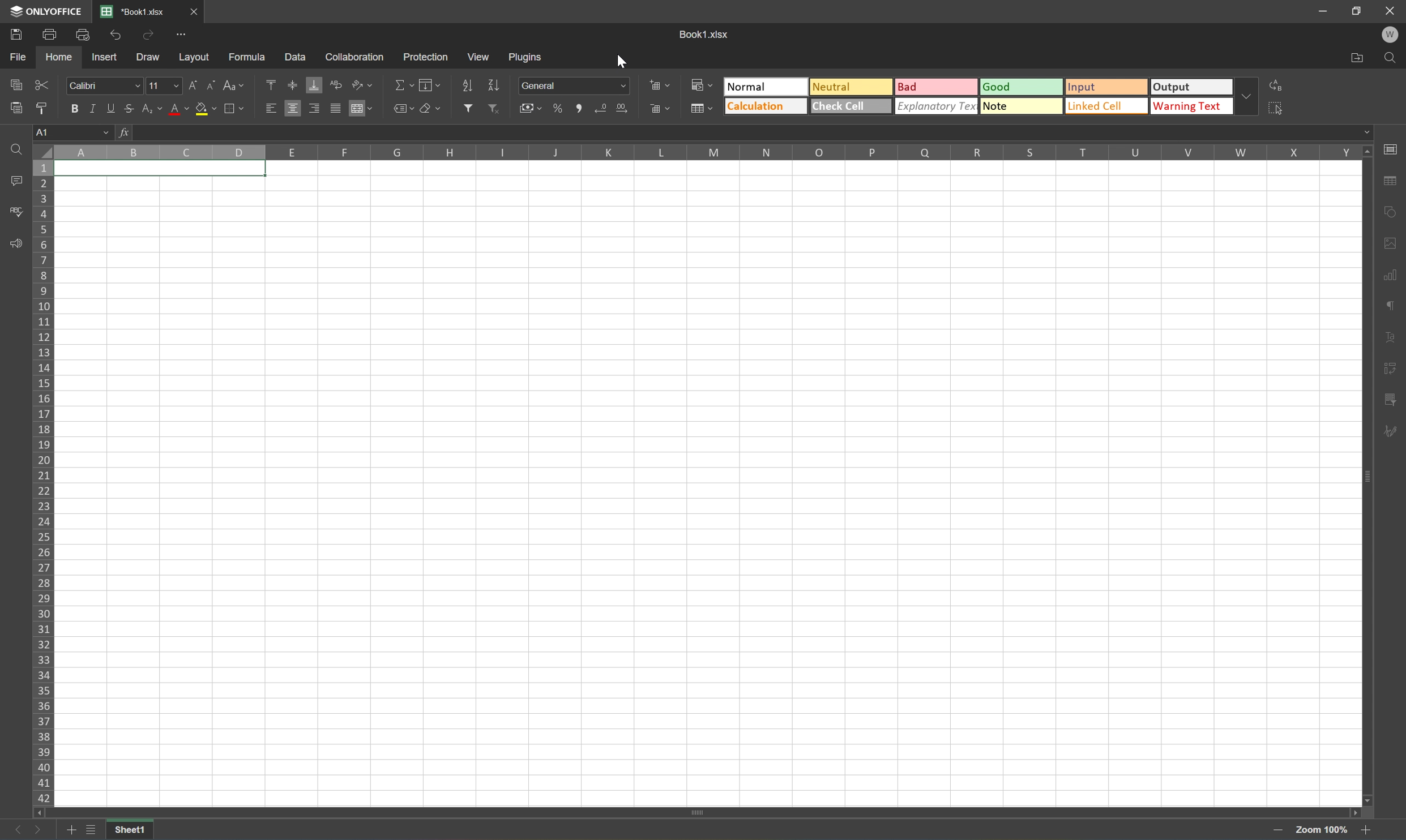 The width and height of the screenshot is (1406, 840). Describe the element at coordinates (766, 106) in the screenshot. I see `Calculation` at that location.